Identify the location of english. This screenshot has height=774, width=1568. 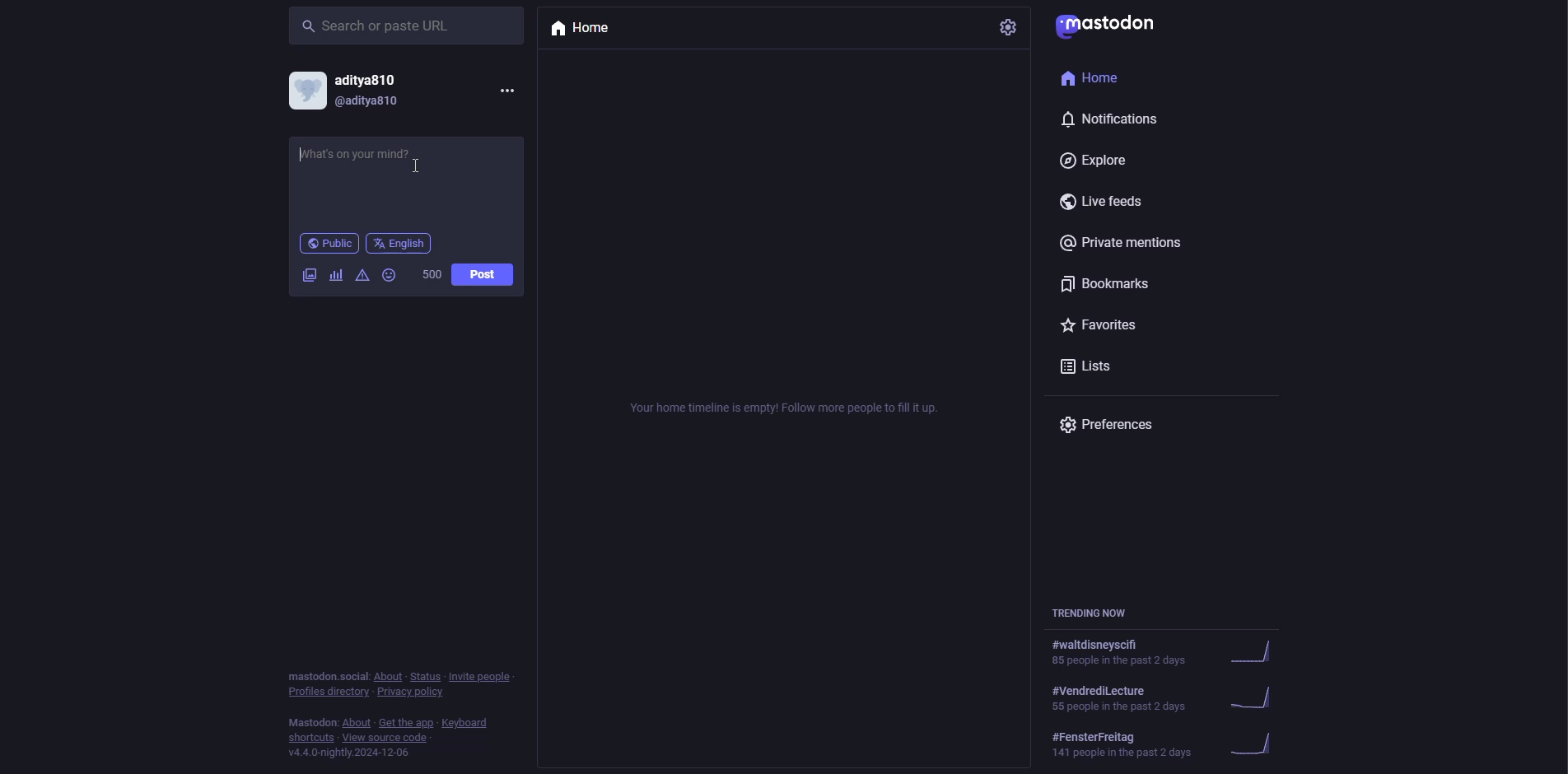
(399, 243).